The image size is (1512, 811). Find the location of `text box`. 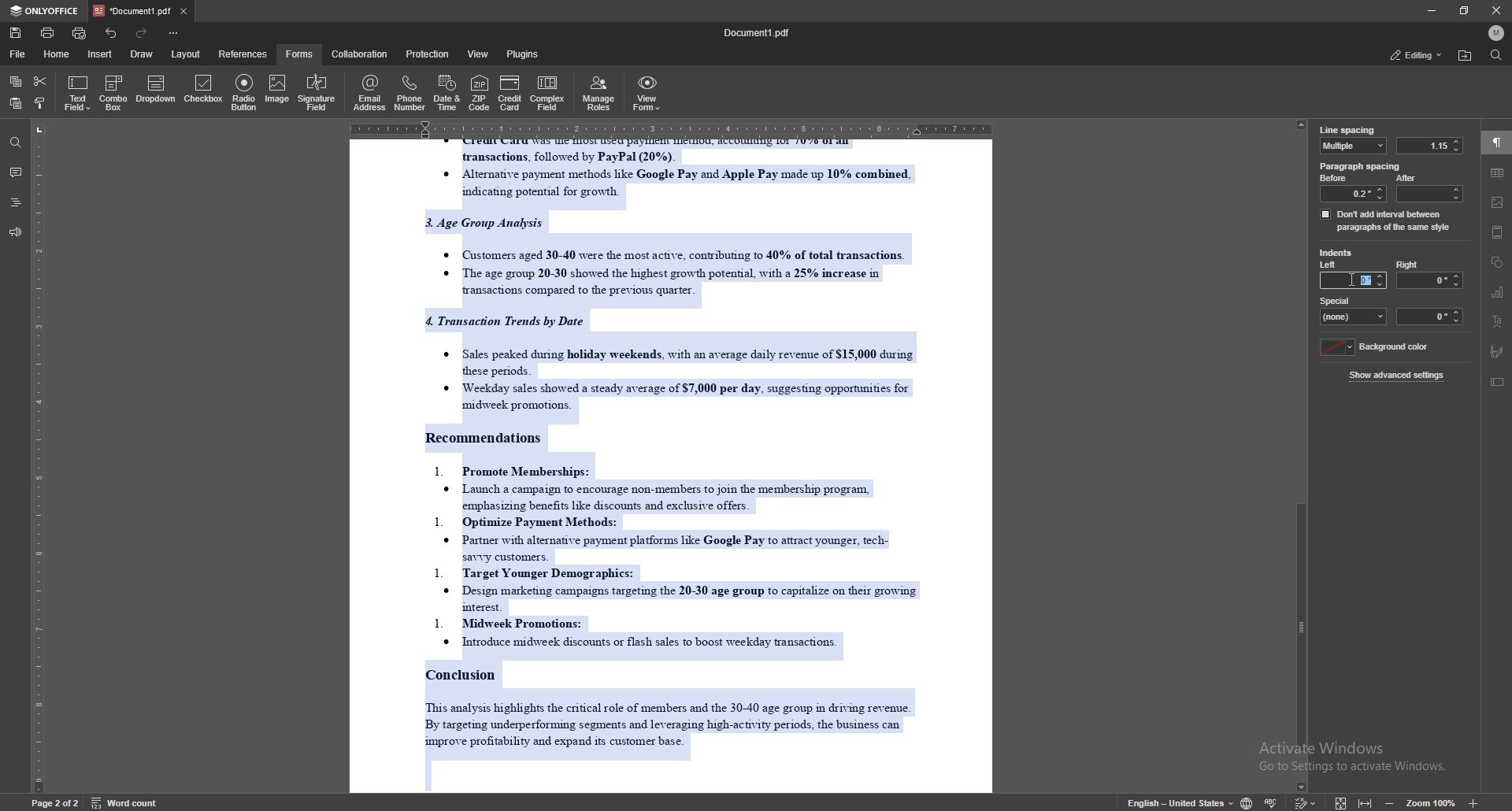

text box is located at coordinates (1499, 382).